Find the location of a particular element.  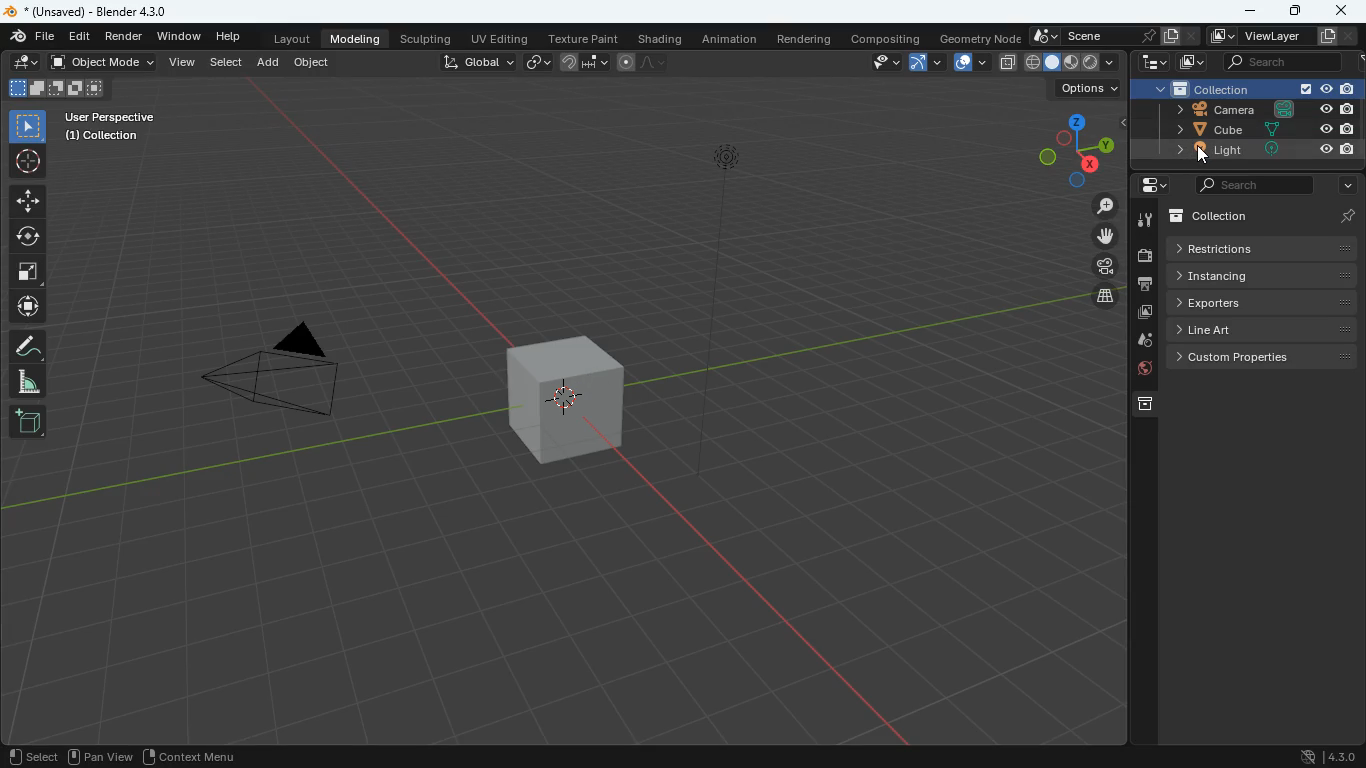

drop is located at coordinates (1145, 340).